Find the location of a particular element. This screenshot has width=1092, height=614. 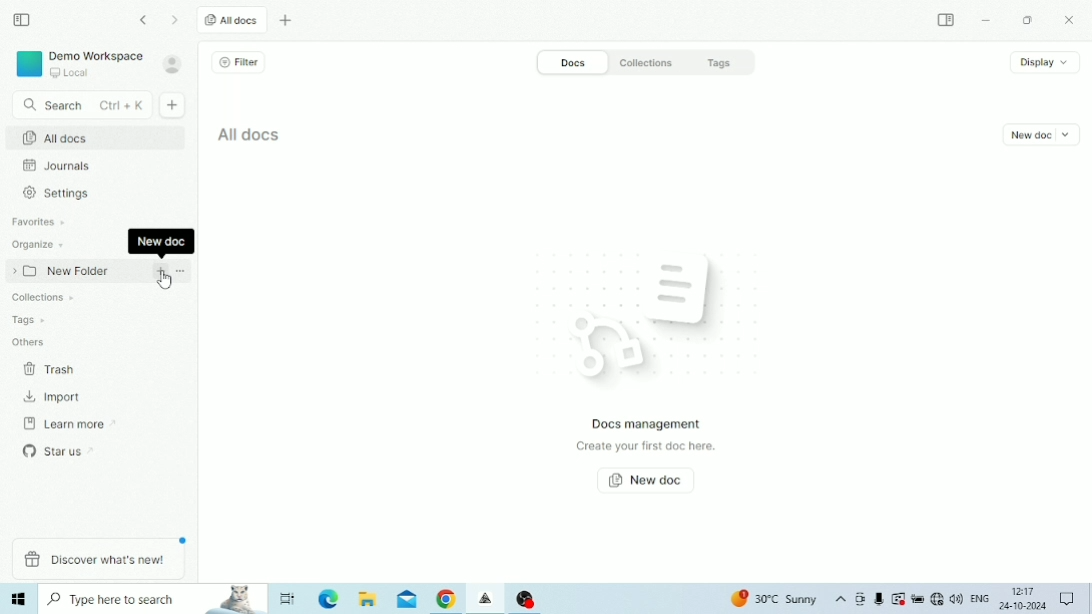

Windows is located at coordinates (20, 599).